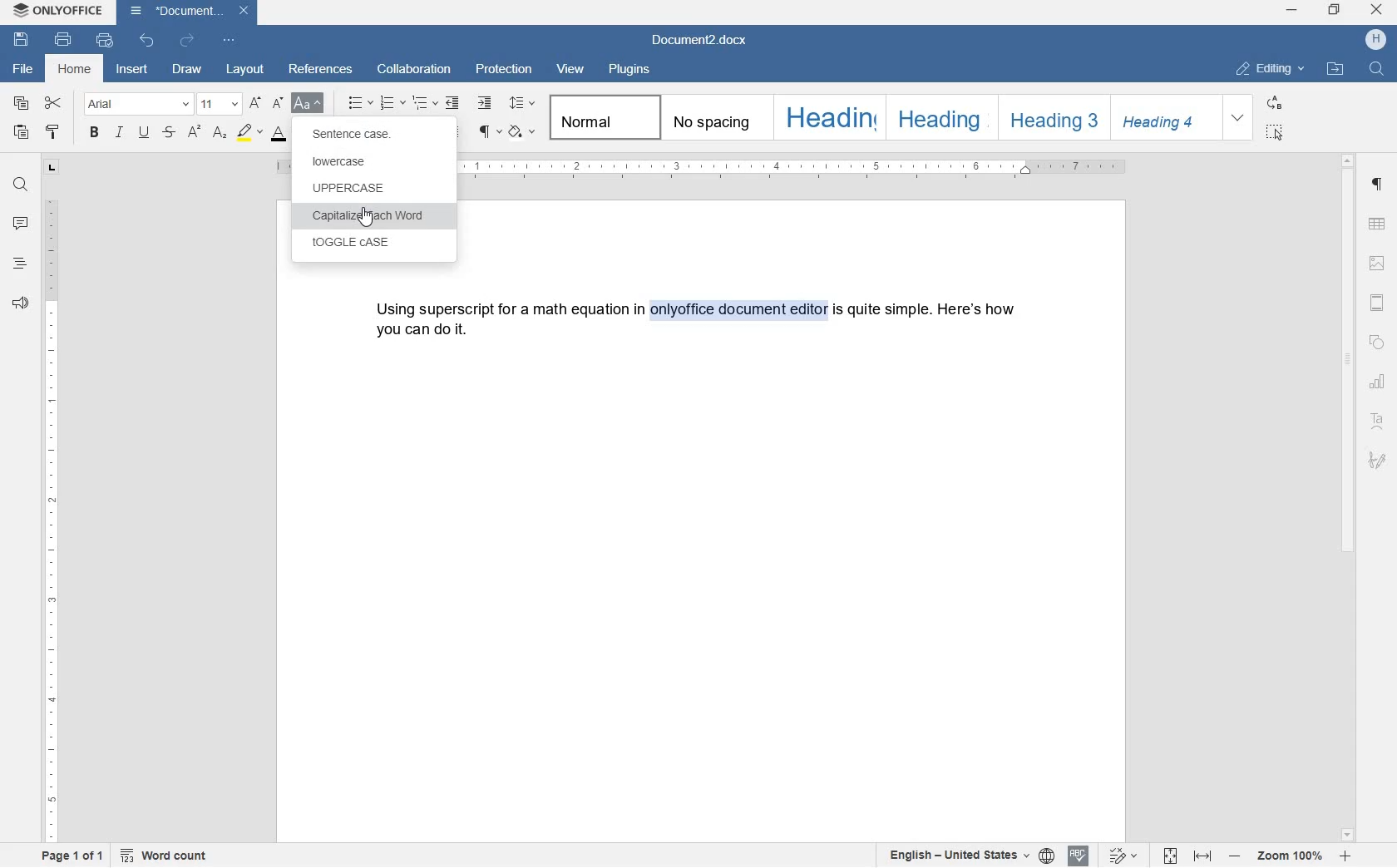 The image size is (1397, 868). I want to click on collaboration, so click(414, 71).